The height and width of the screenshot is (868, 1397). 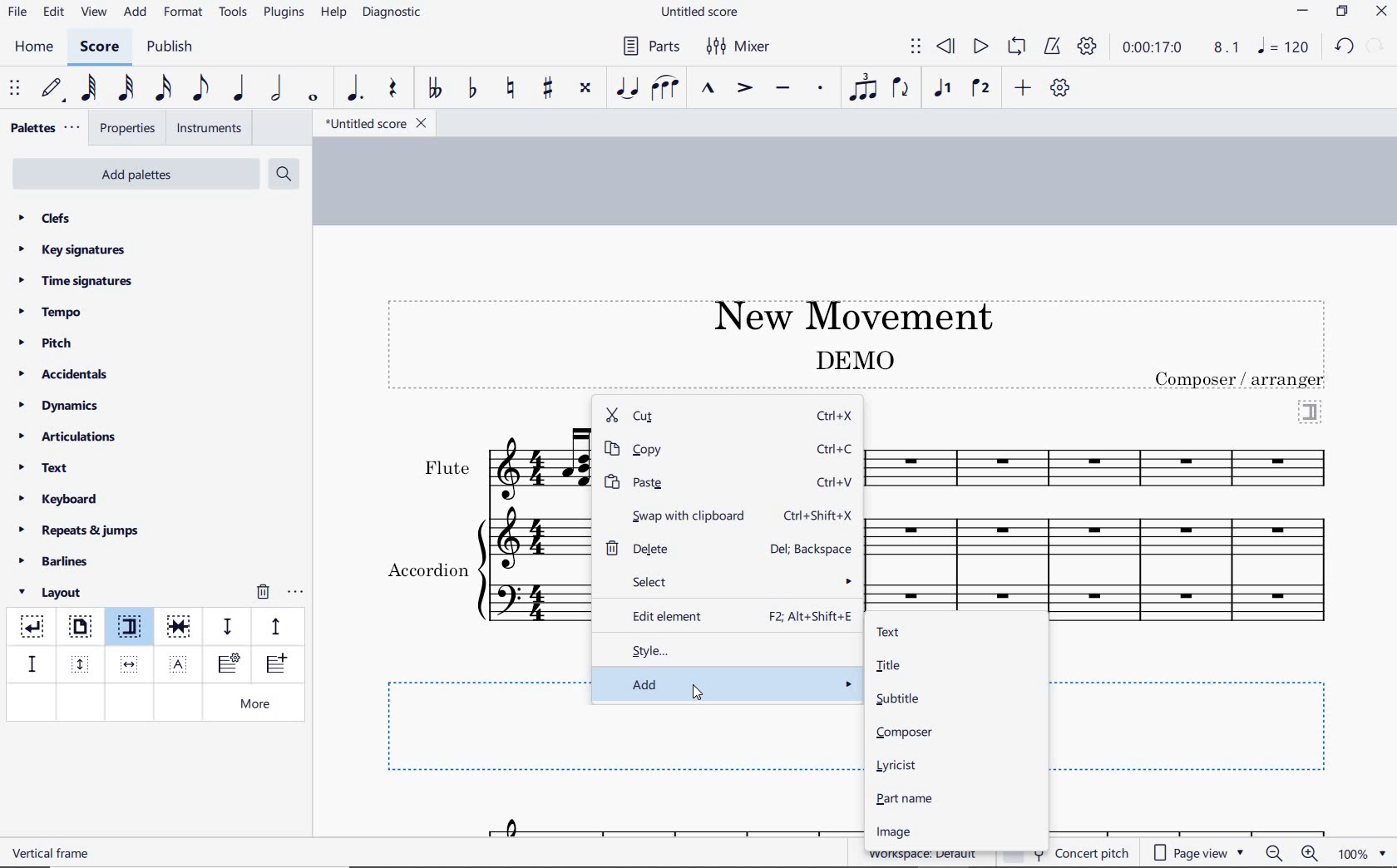 What do you see at coordinates (471, 89) in the screenshot?
I see `toggle flat` at bounding box center [471, 89].